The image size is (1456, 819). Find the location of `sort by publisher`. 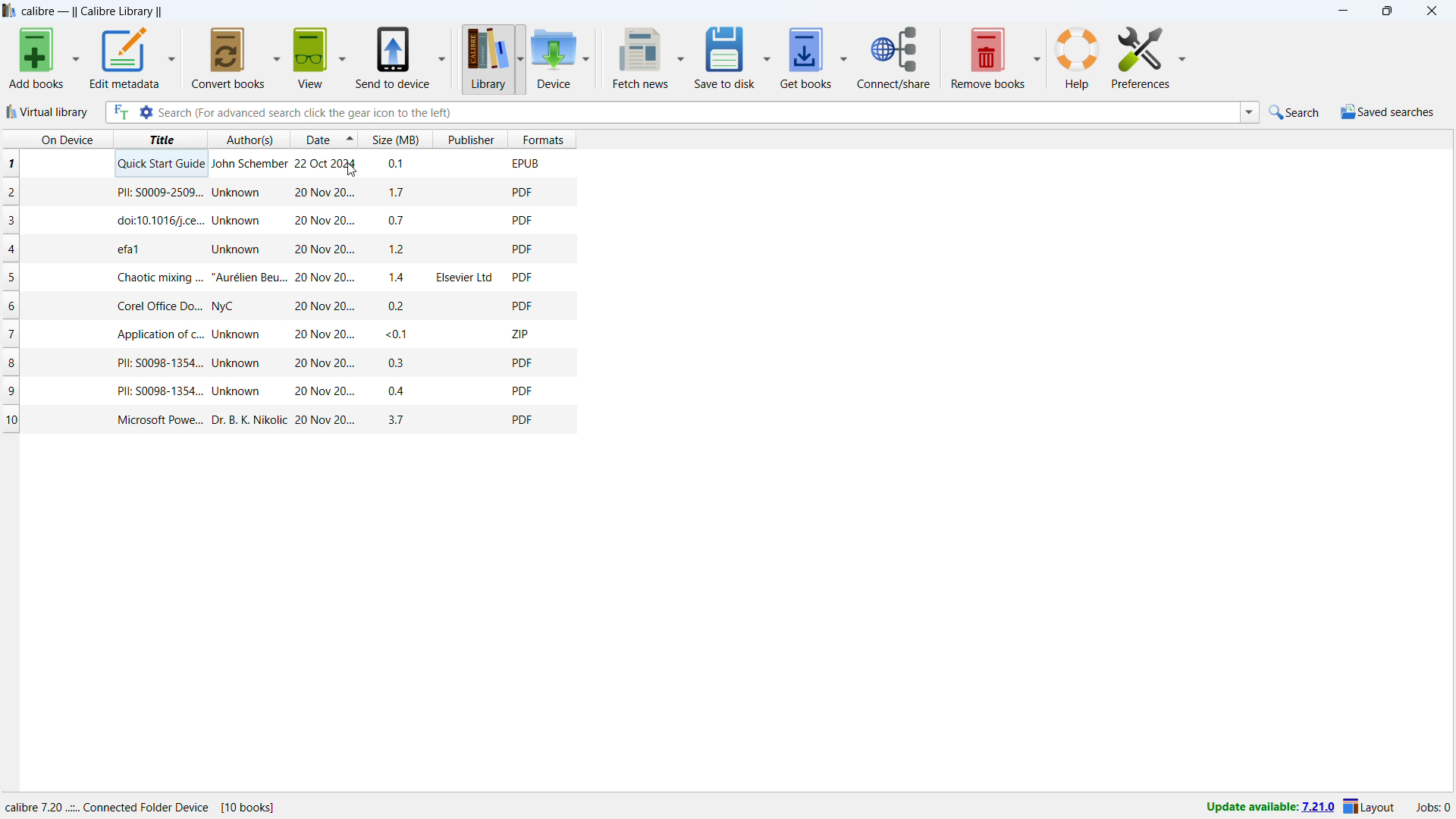

sort by publisher is located at coordinates (472, 140).